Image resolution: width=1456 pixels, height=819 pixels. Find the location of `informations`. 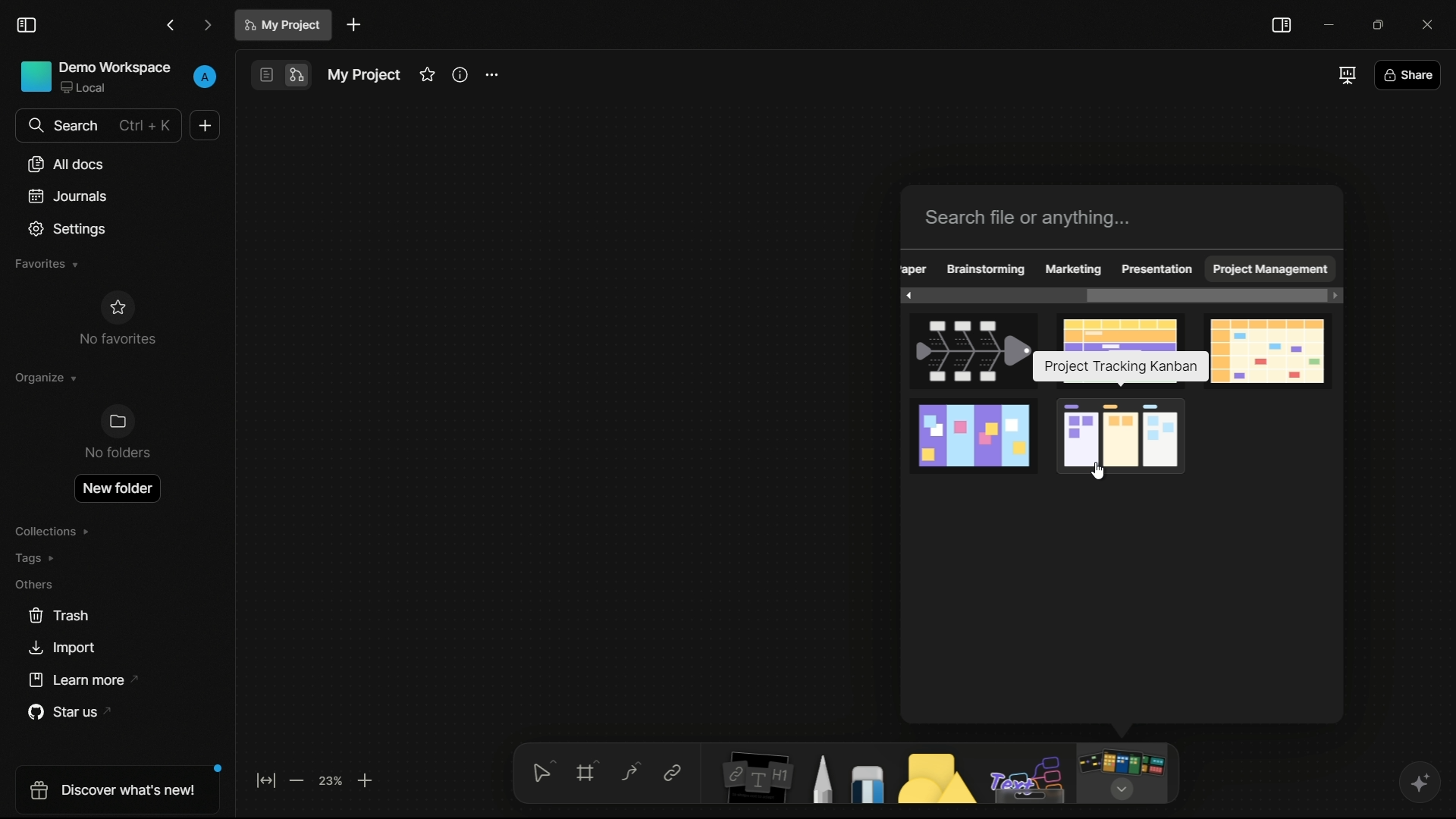

informations is located at coordinates (460, 74).